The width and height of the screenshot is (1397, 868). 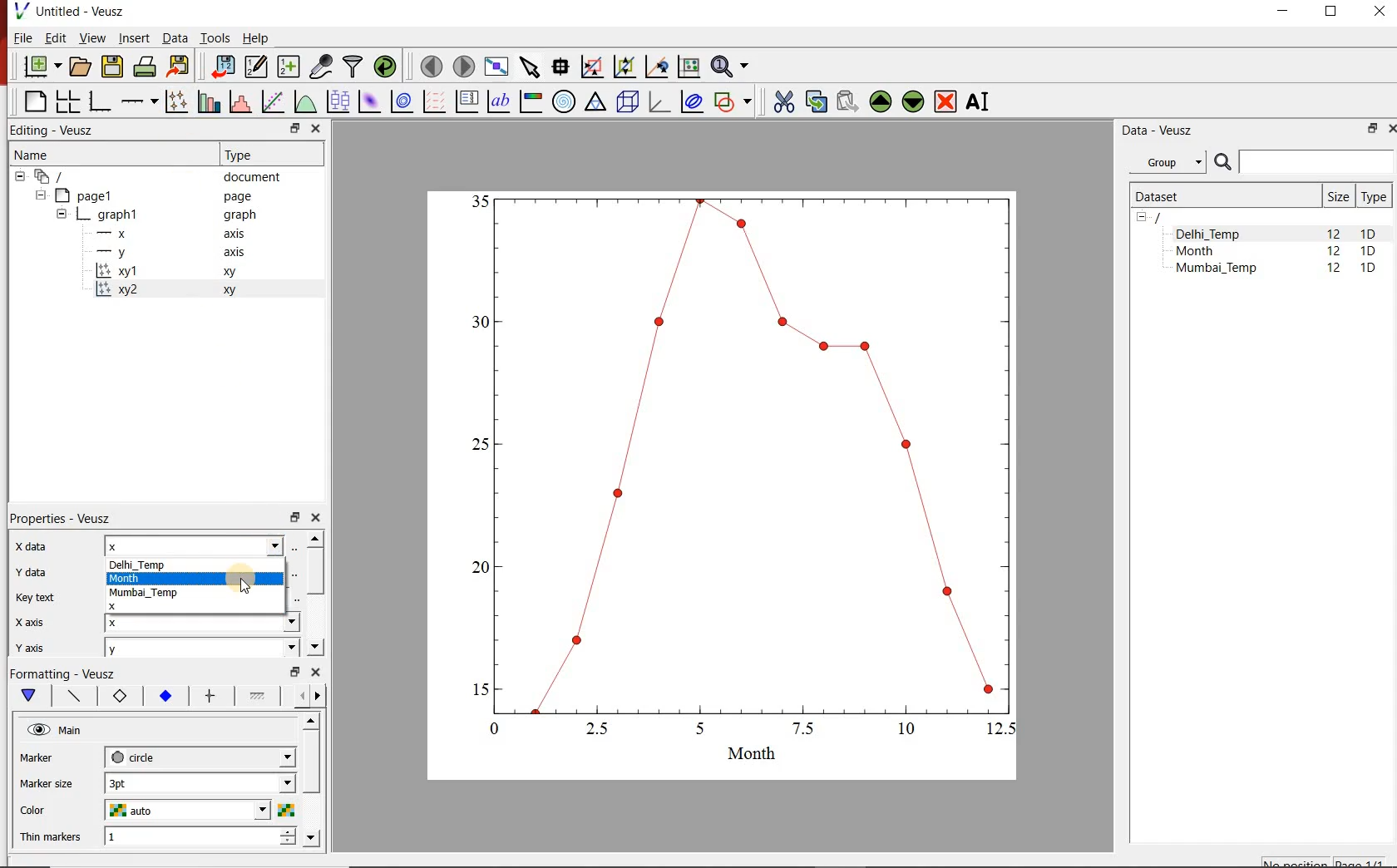 What do you see at coordinates (221, 67) in the screenshot?
I see `import data into Veusz` at bounding box center [221, 67].